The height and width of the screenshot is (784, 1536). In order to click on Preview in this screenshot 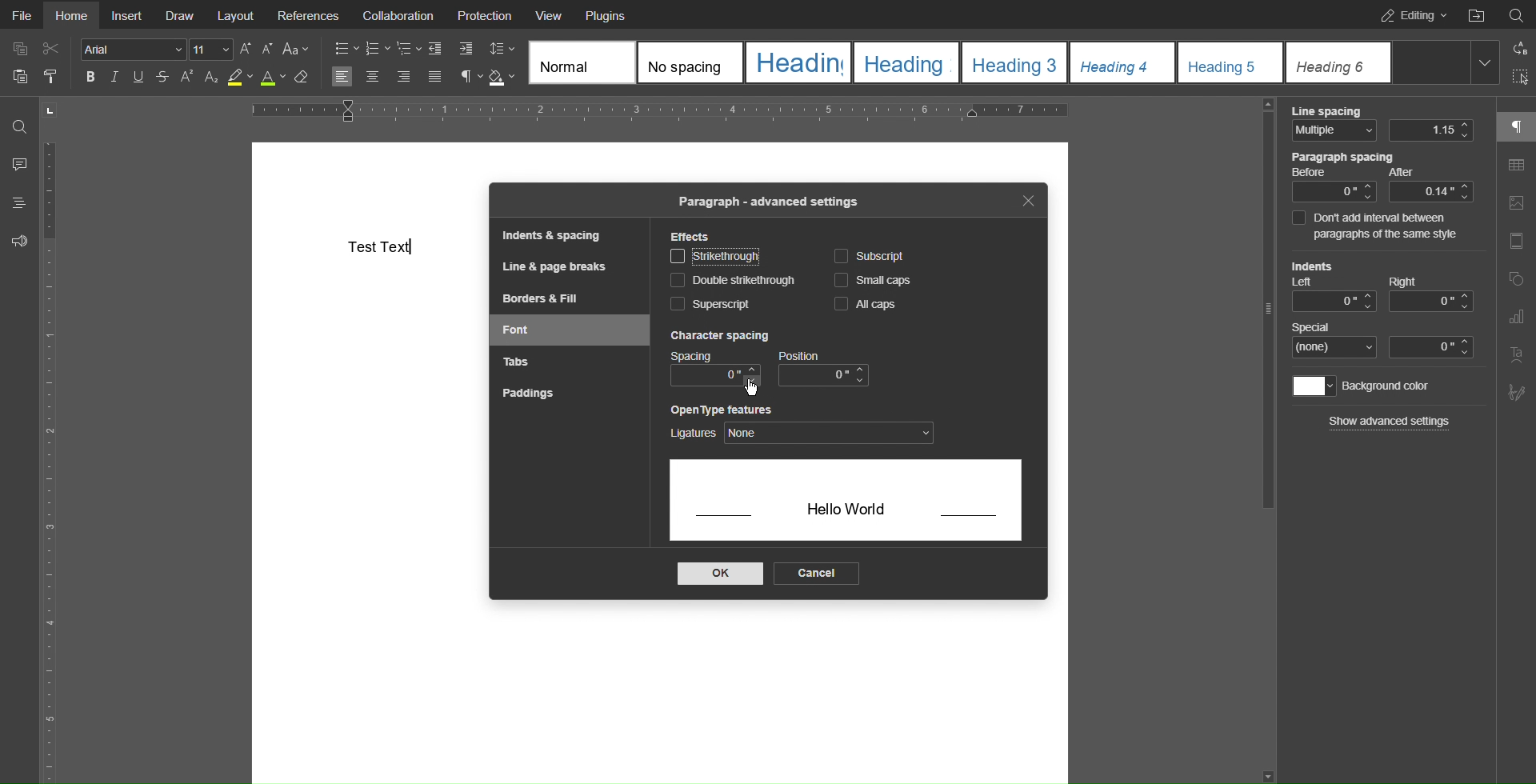, I will do `click(846, 504)`.